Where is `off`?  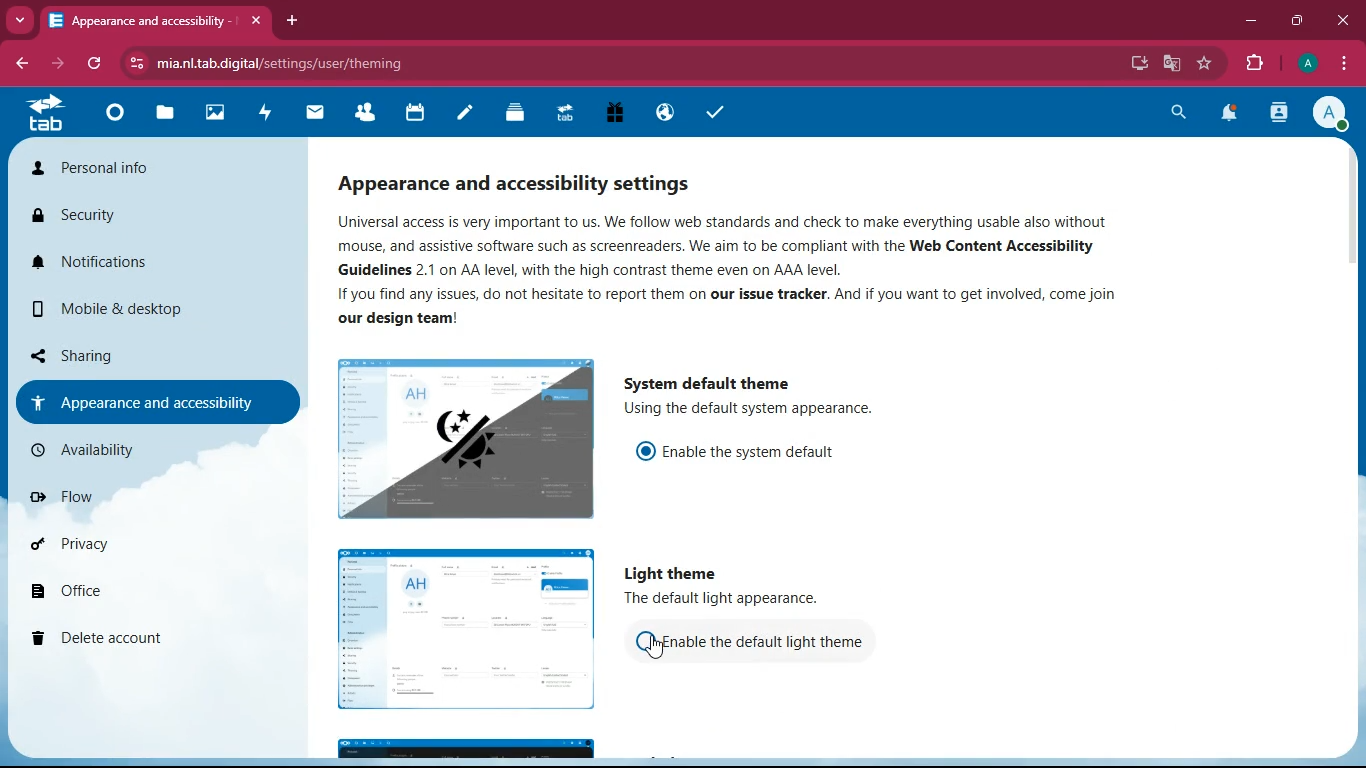 off is located at coordinates (647, 643).